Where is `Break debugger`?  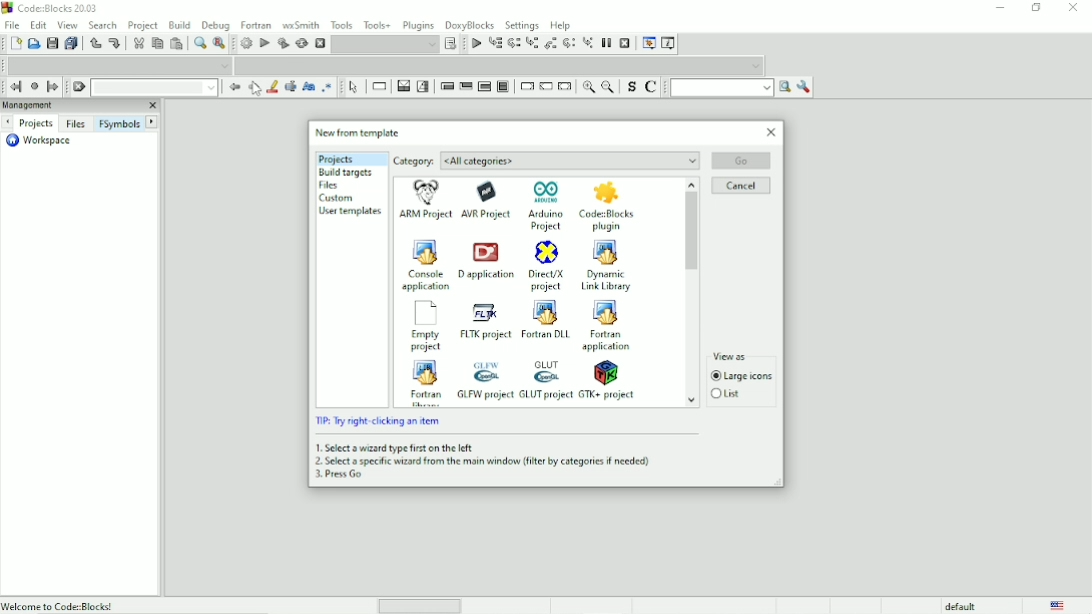
Break debugger is located at coordinates (607, 43).